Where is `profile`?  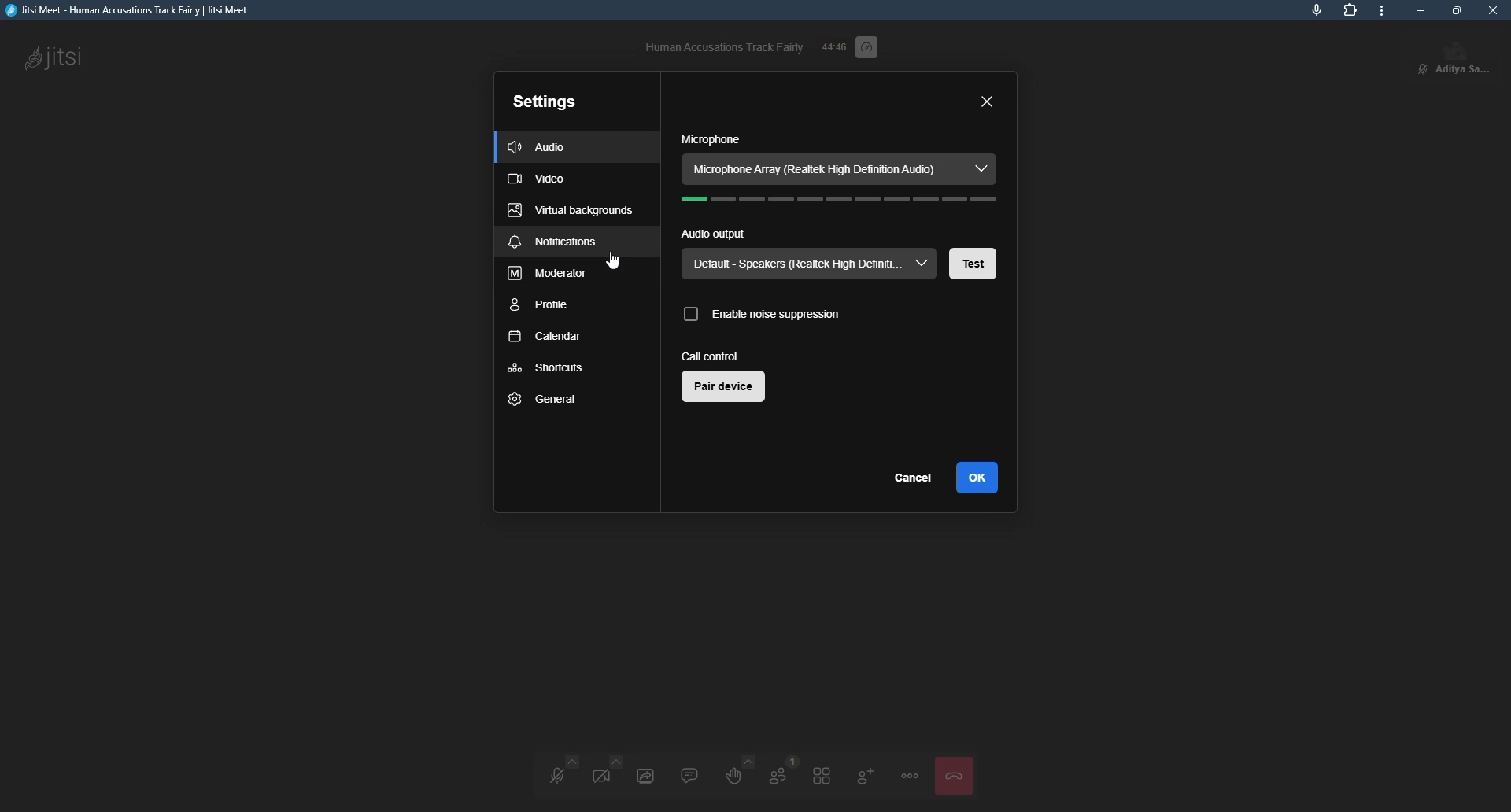 profile is located at coordinates (1465, 56).